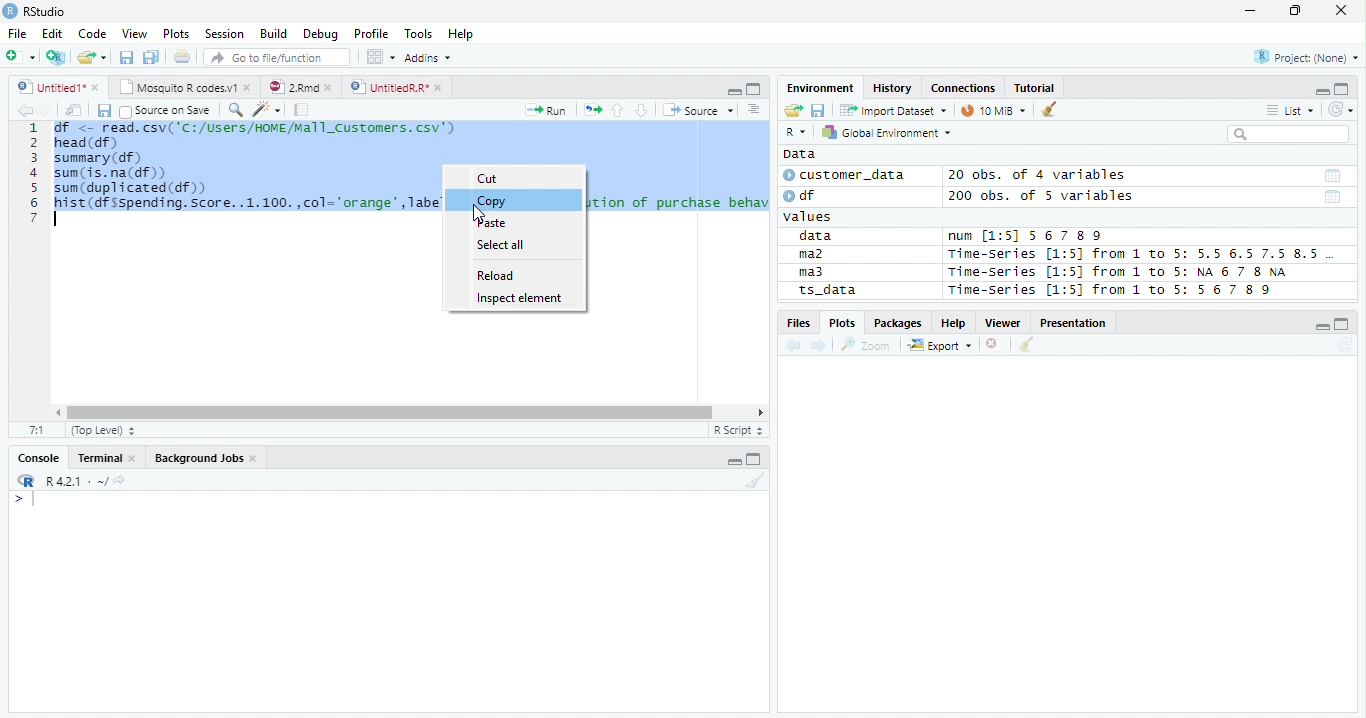  I want to click on Maximize, so click(756, 460).